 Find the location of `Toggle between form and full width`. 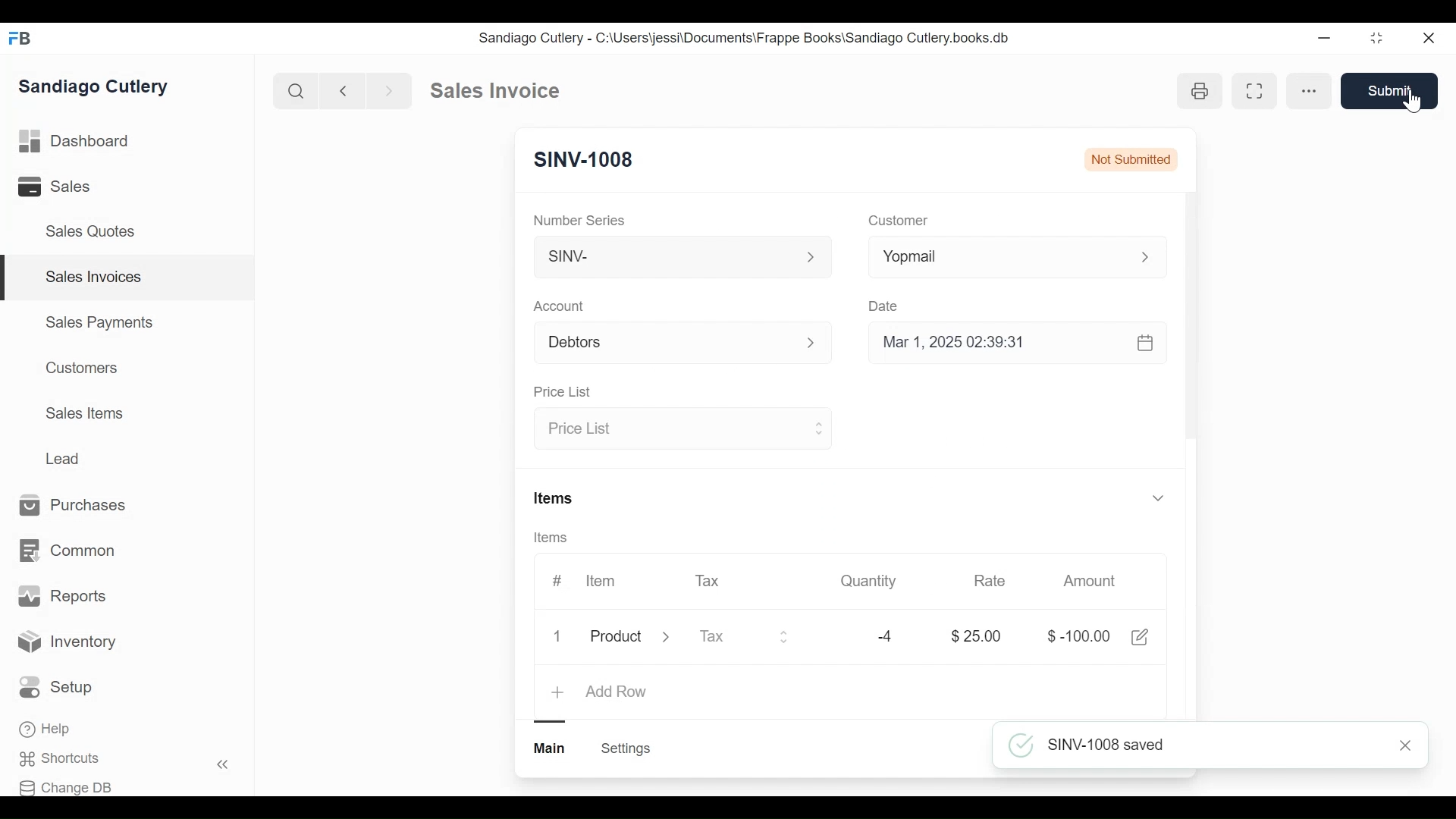

Toggle between form and full width is located at coordinates (1255, 90).